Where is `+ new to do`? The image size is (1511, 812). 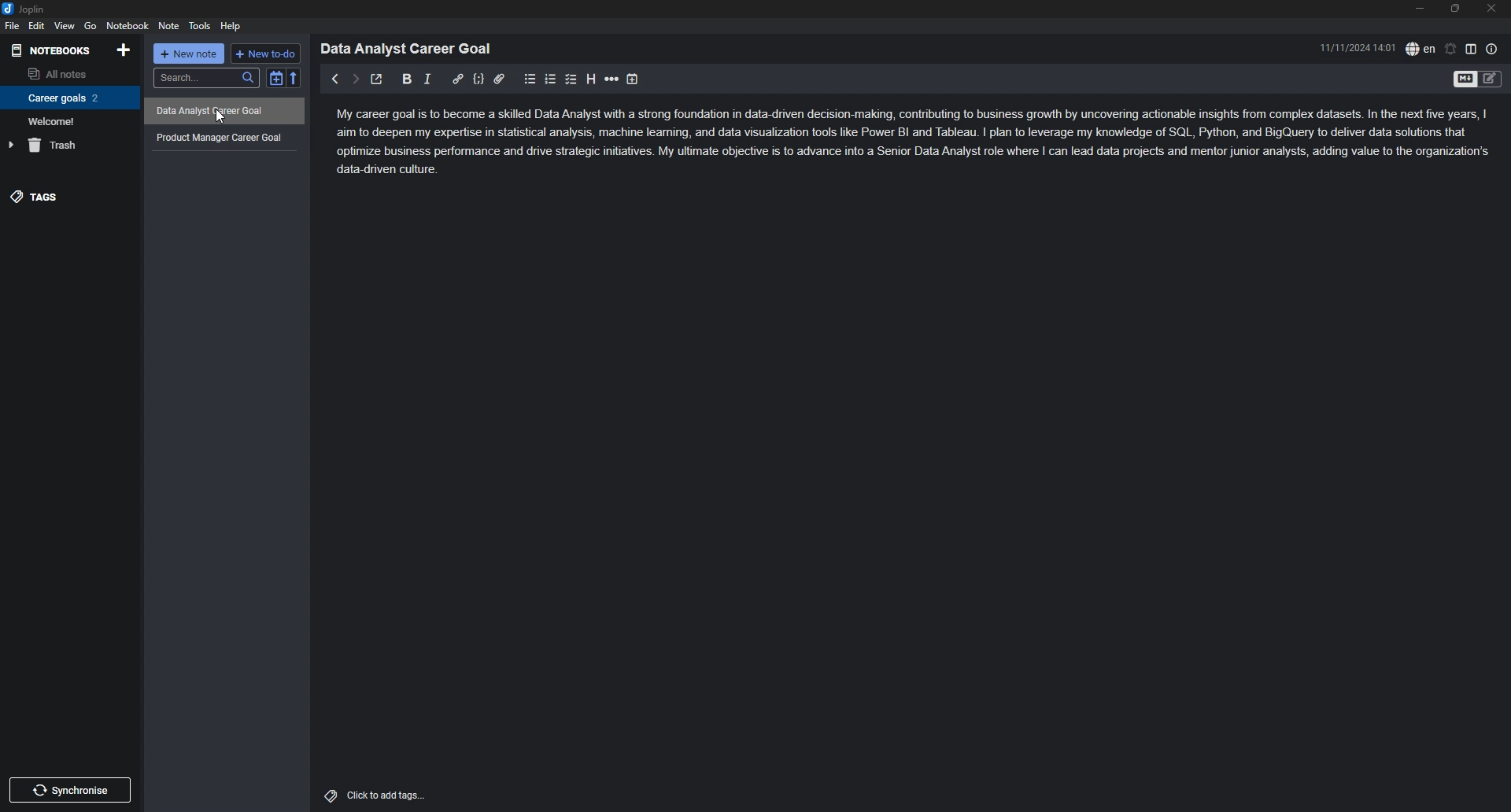 + new to do is located at coordinates (264, 54).